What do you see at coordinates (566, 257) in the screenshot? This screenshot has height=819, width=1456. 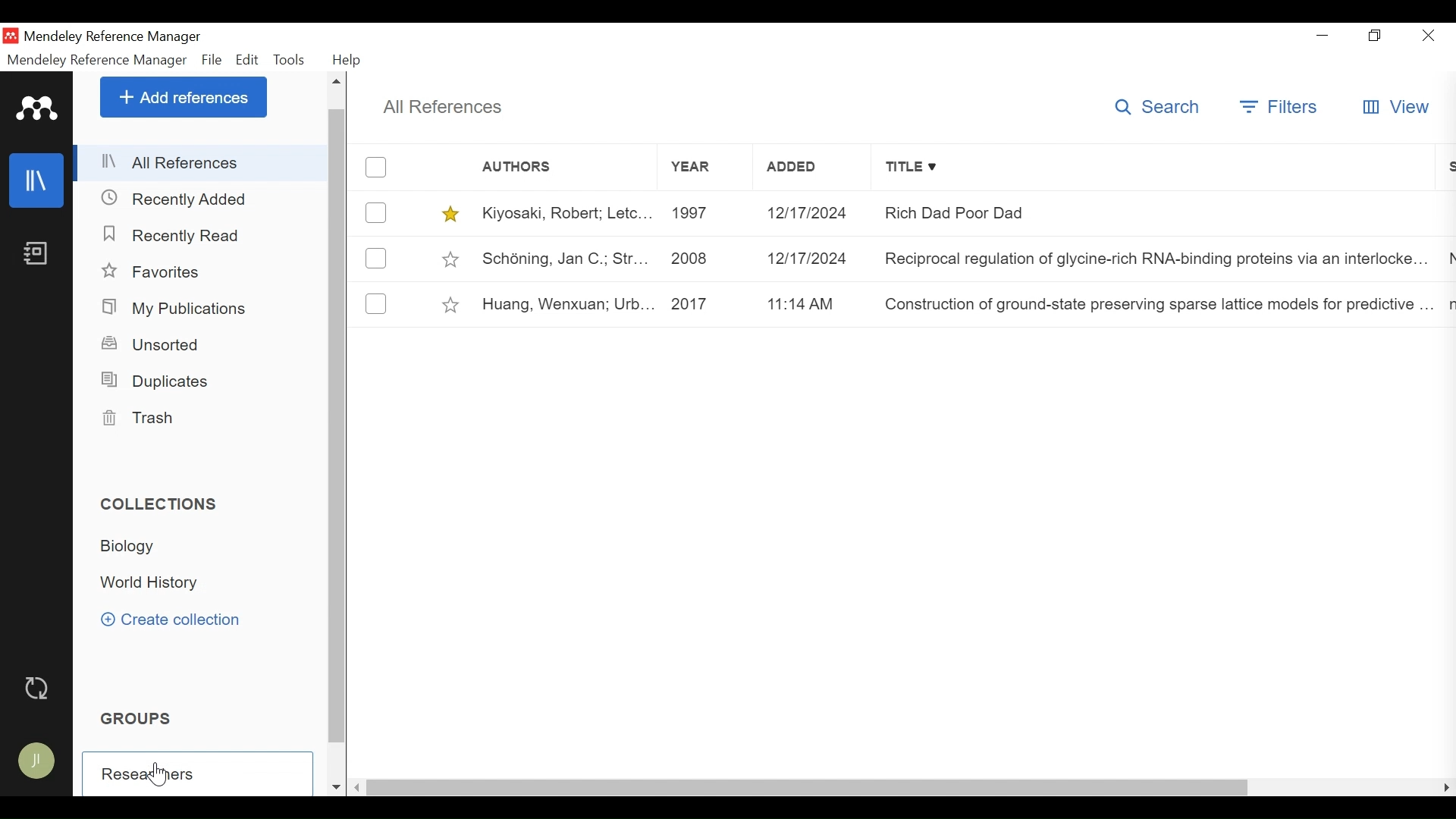 I see `Schéning, Jan C.; Str...` at bounding box center [566, 257].